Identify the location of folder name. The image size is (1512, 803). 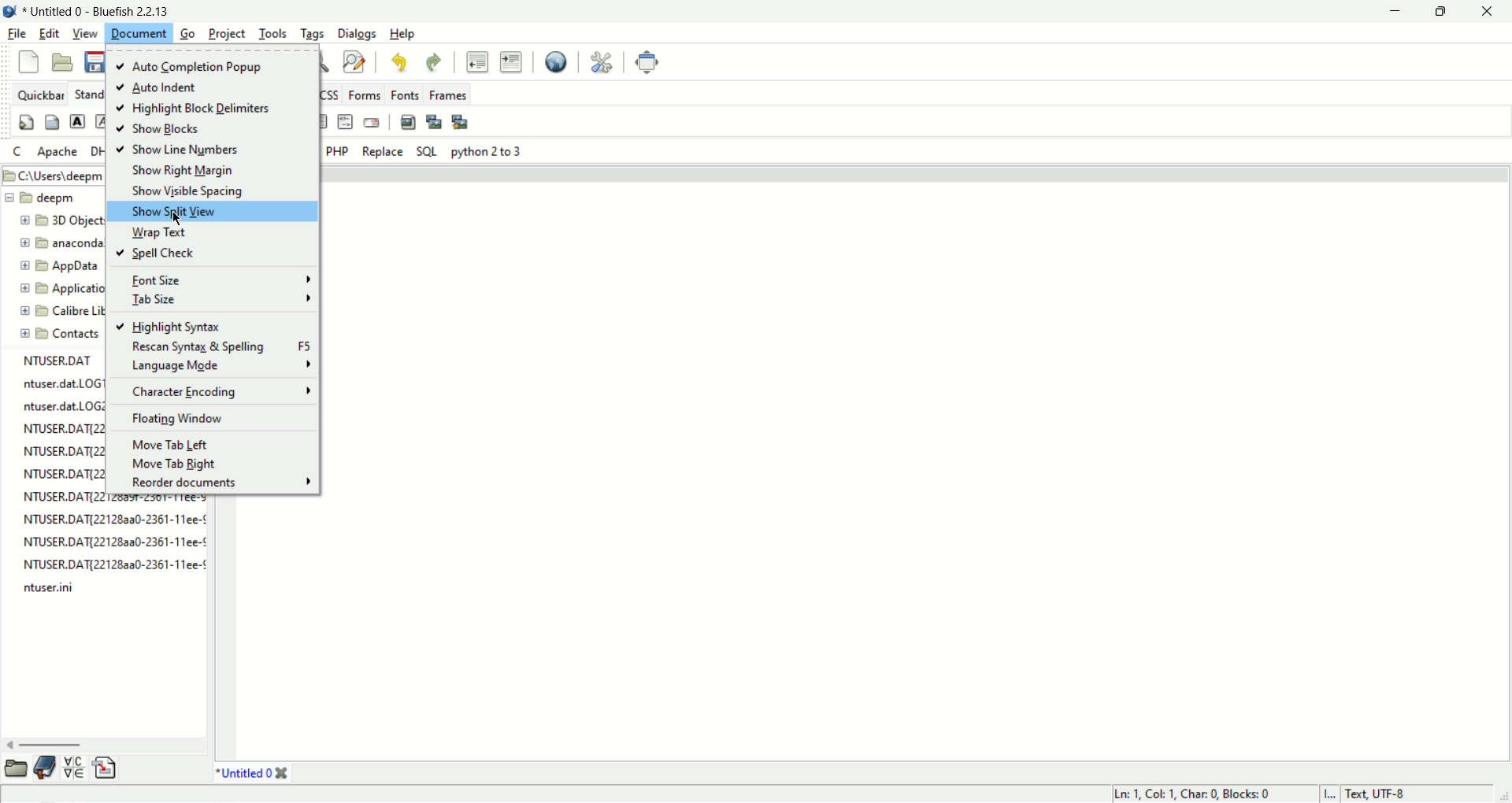
(61, 309).